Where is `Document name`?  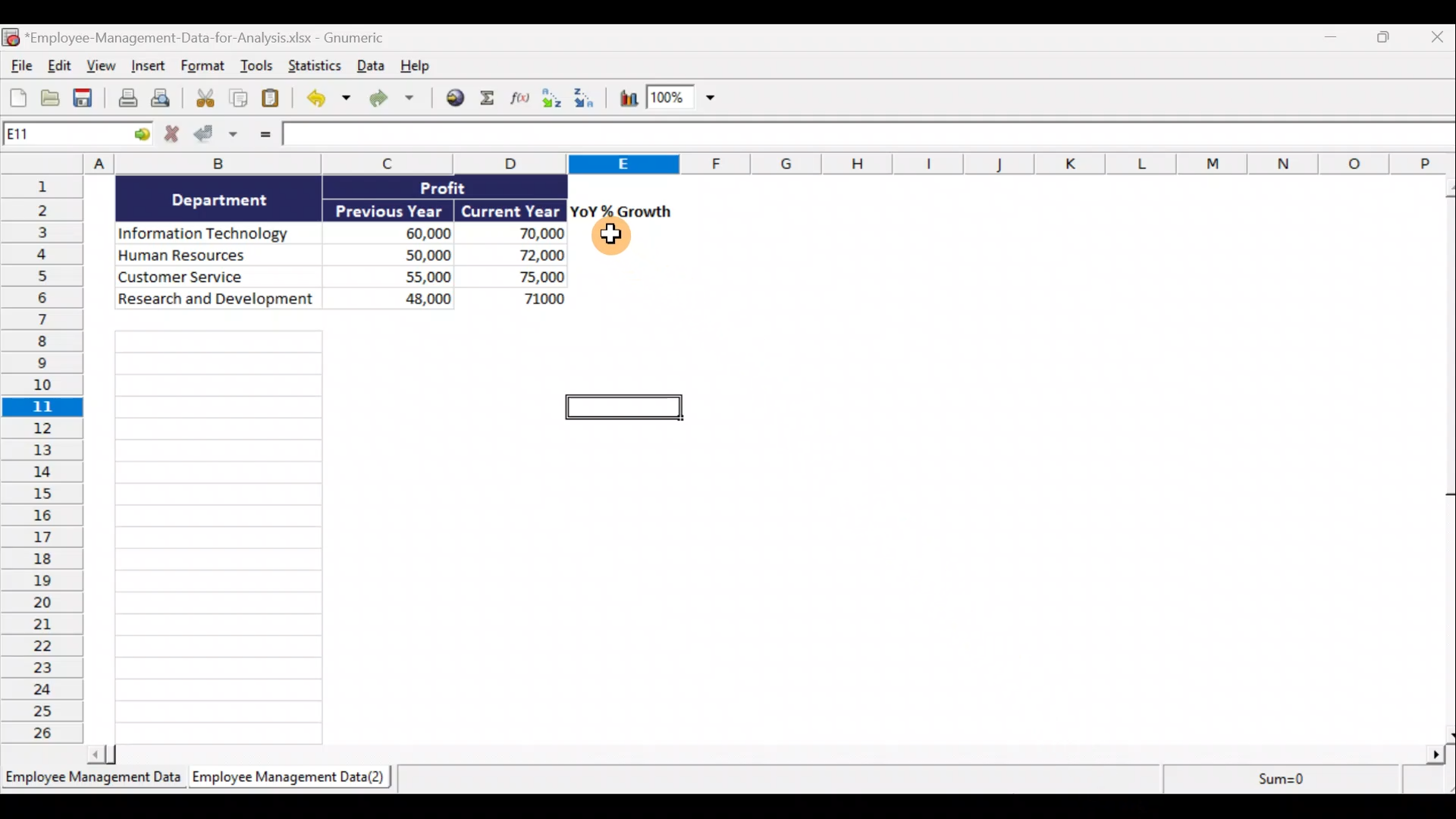 Document name is located at coordinates (208, 36).